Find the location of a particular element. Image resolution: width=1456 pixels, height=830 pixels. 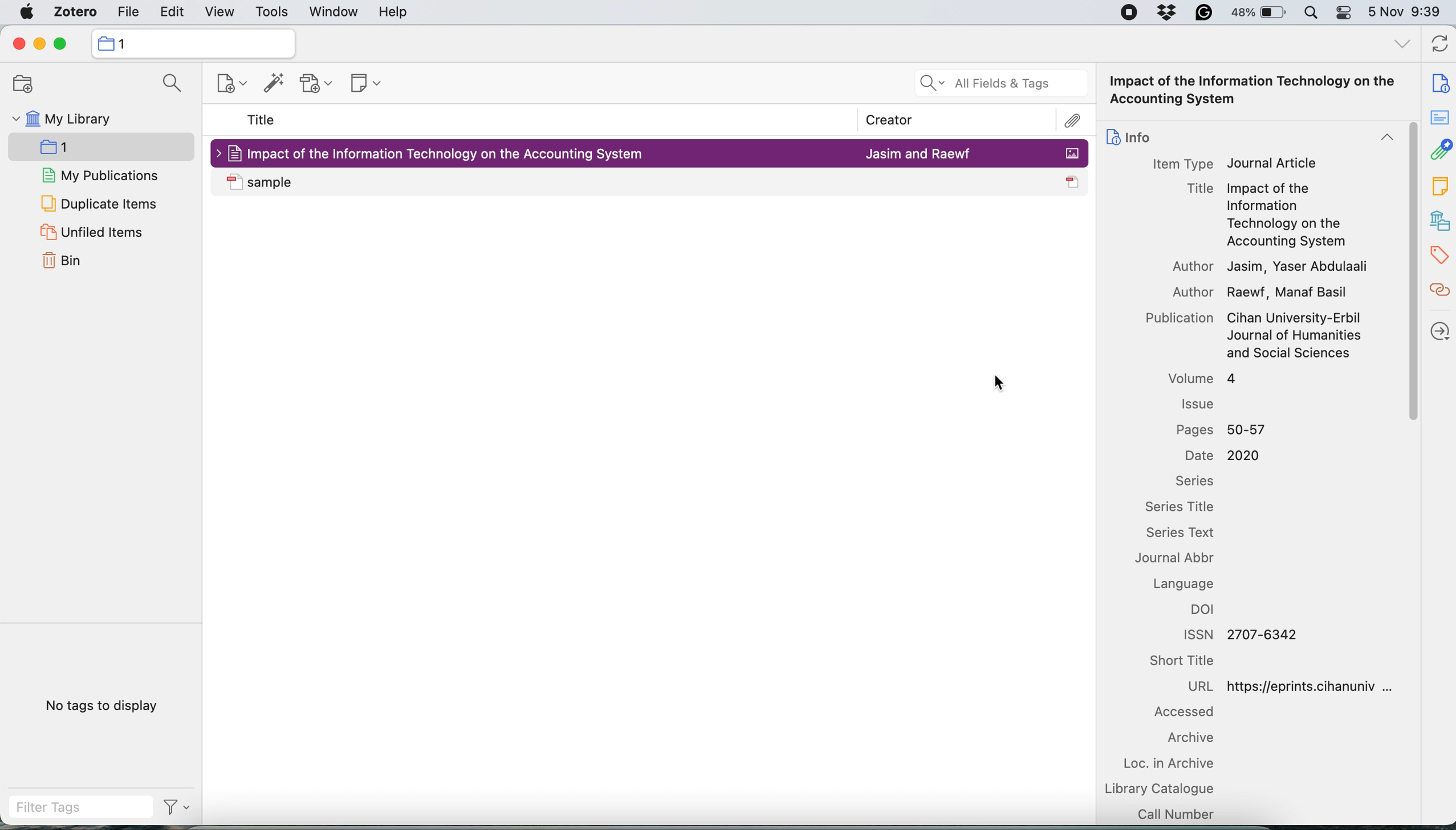

attachments is located at coordinates (1073, 121).